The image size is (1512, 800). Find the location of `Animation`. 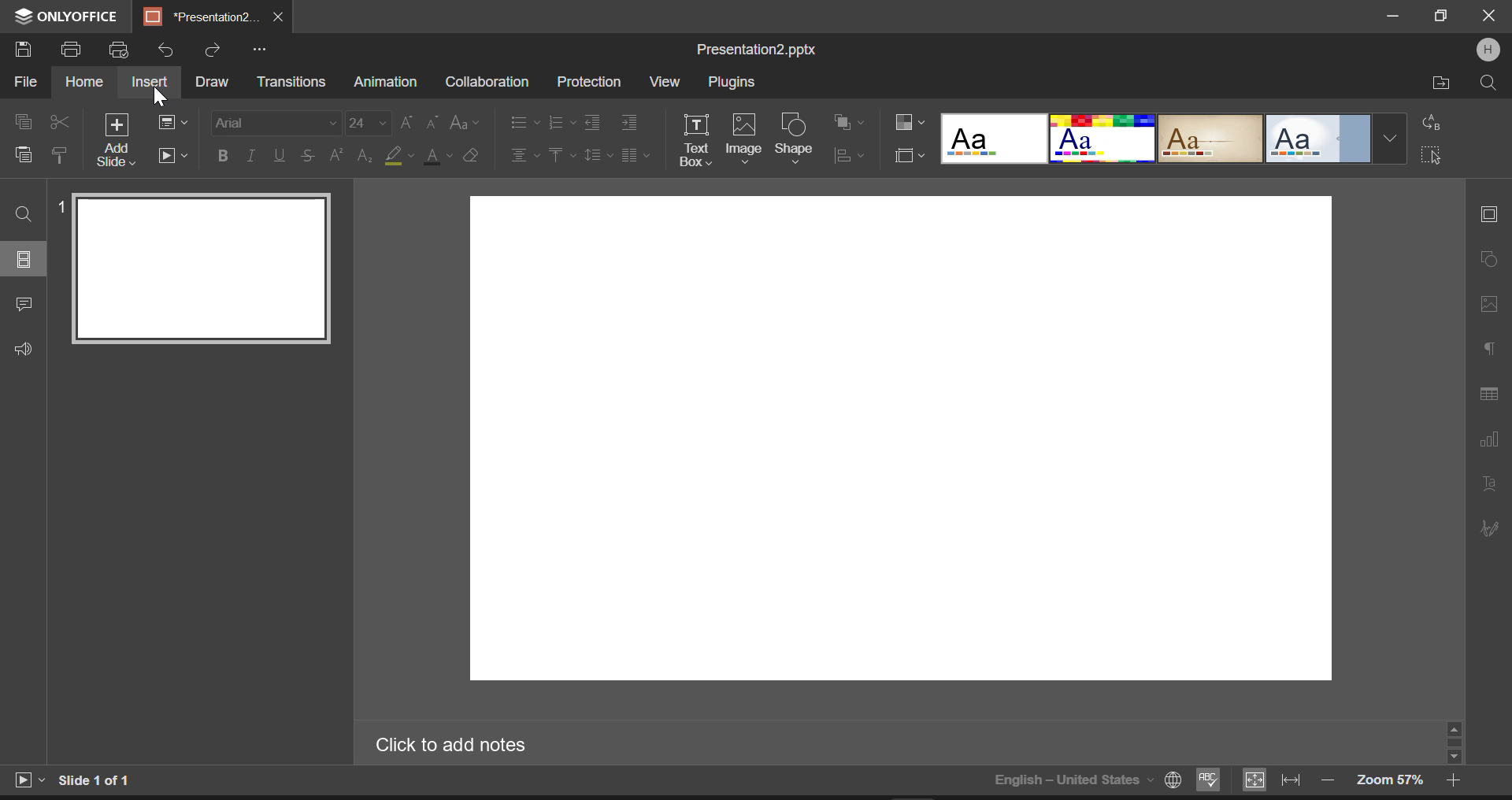

Animation is located at coordinates (384, 83).